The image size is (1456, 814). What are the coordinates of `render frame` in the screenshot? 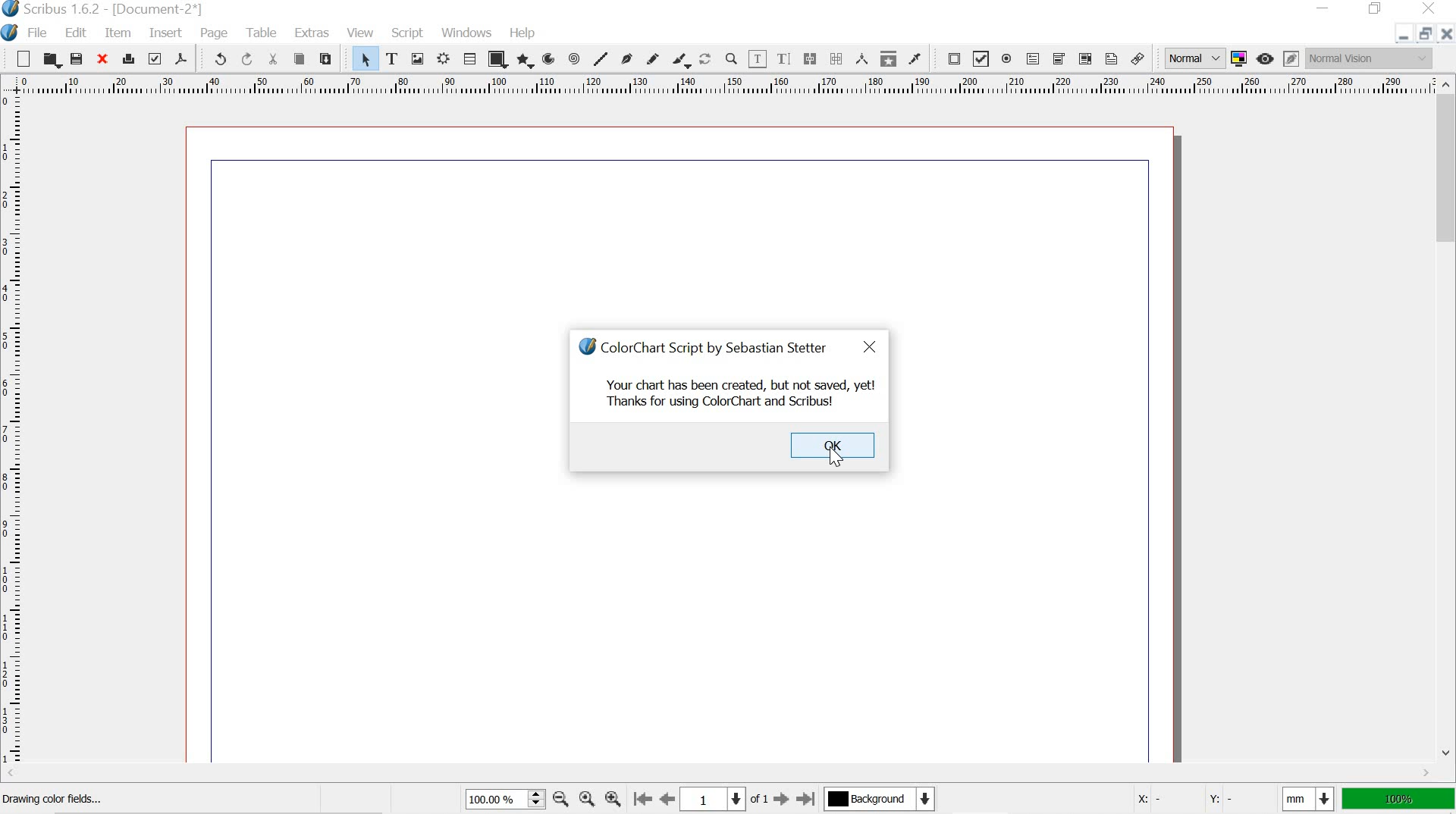 It's located at (445, 58).